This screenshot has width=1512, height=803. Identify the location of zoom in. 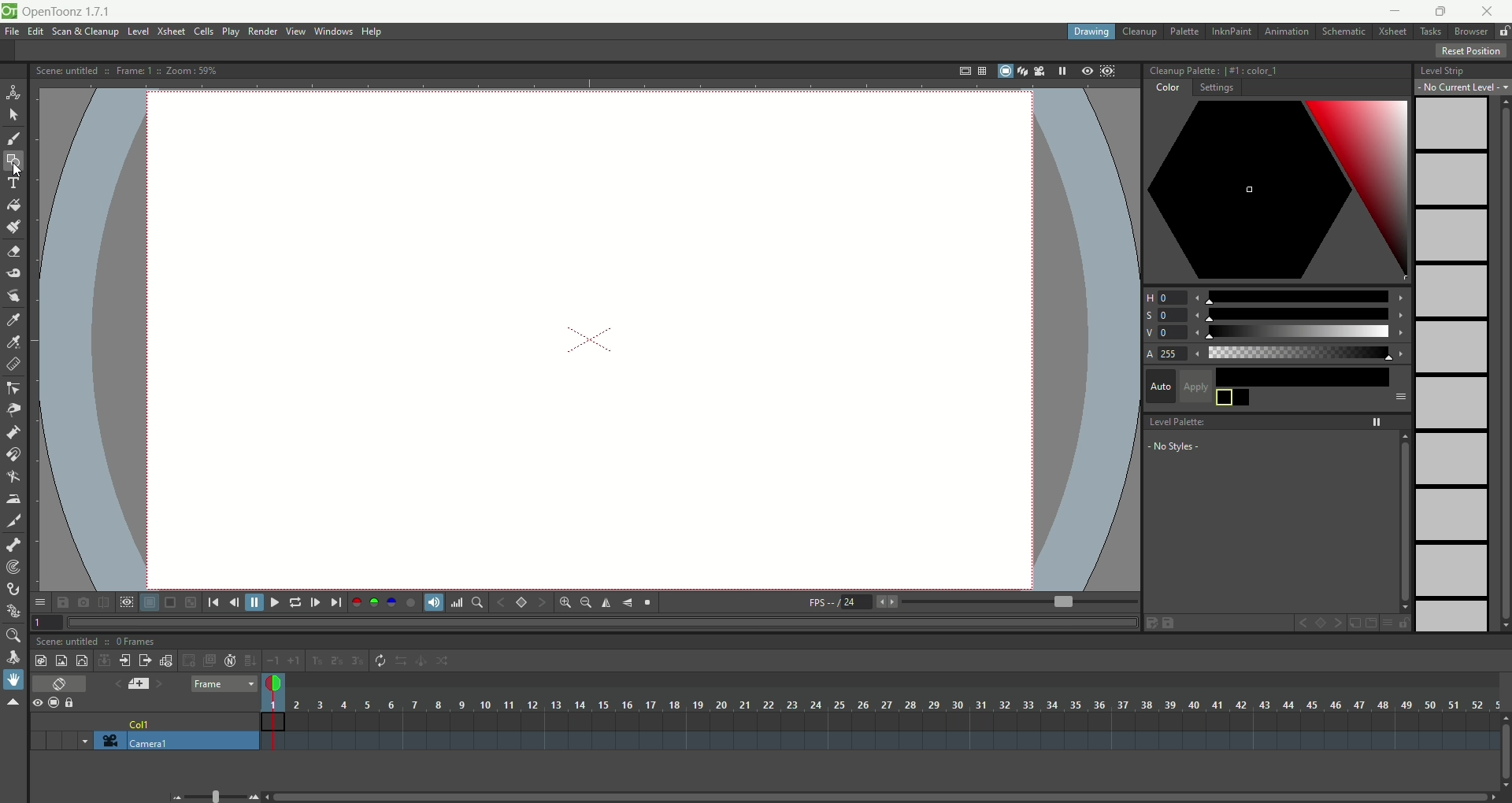
(254, 797).